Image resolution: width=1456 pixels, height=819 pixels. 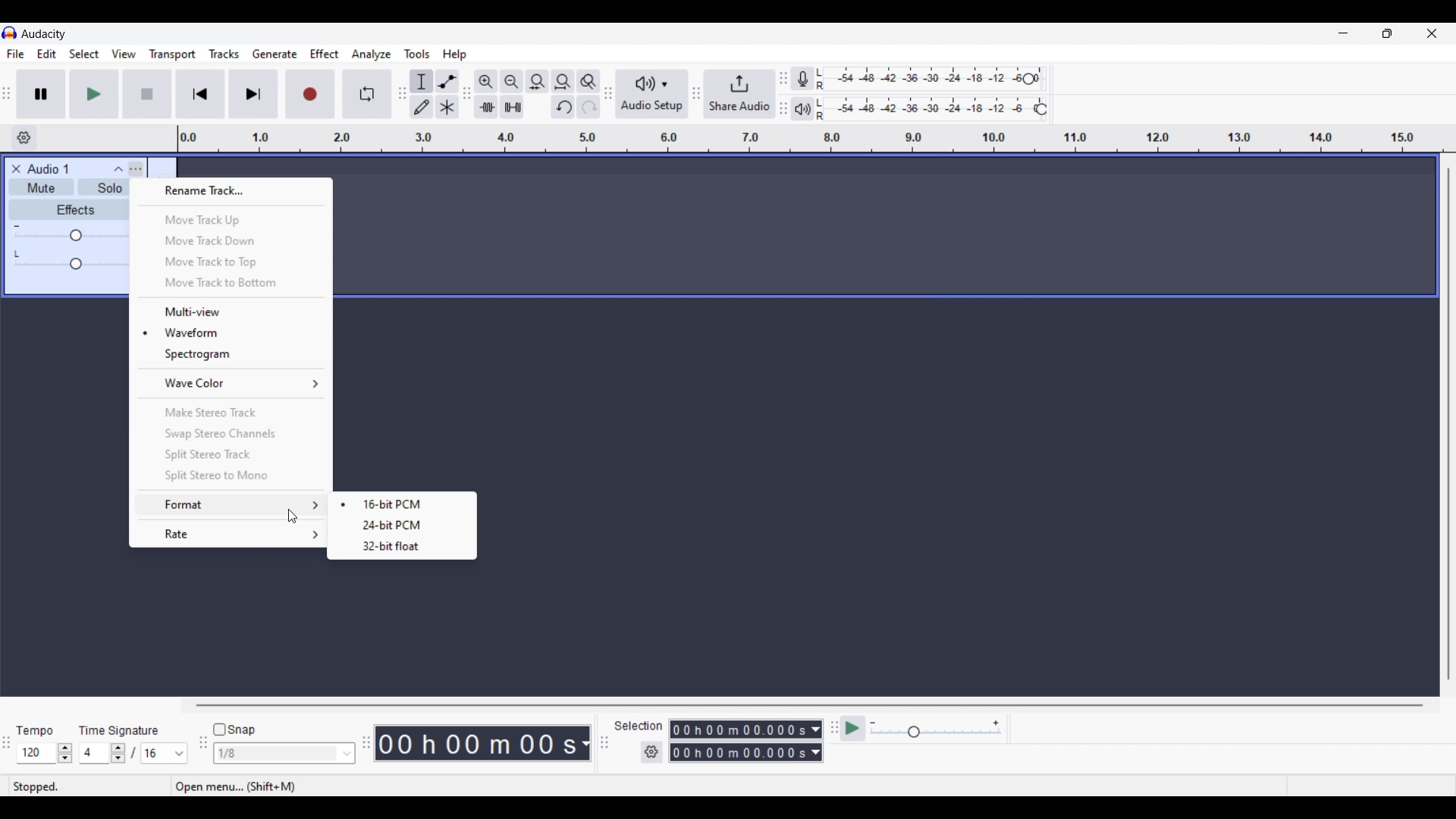 What do you see at coordinates (422, 107) in the screenshot?
I see `Draw tool` at bounding box center [422, 107].